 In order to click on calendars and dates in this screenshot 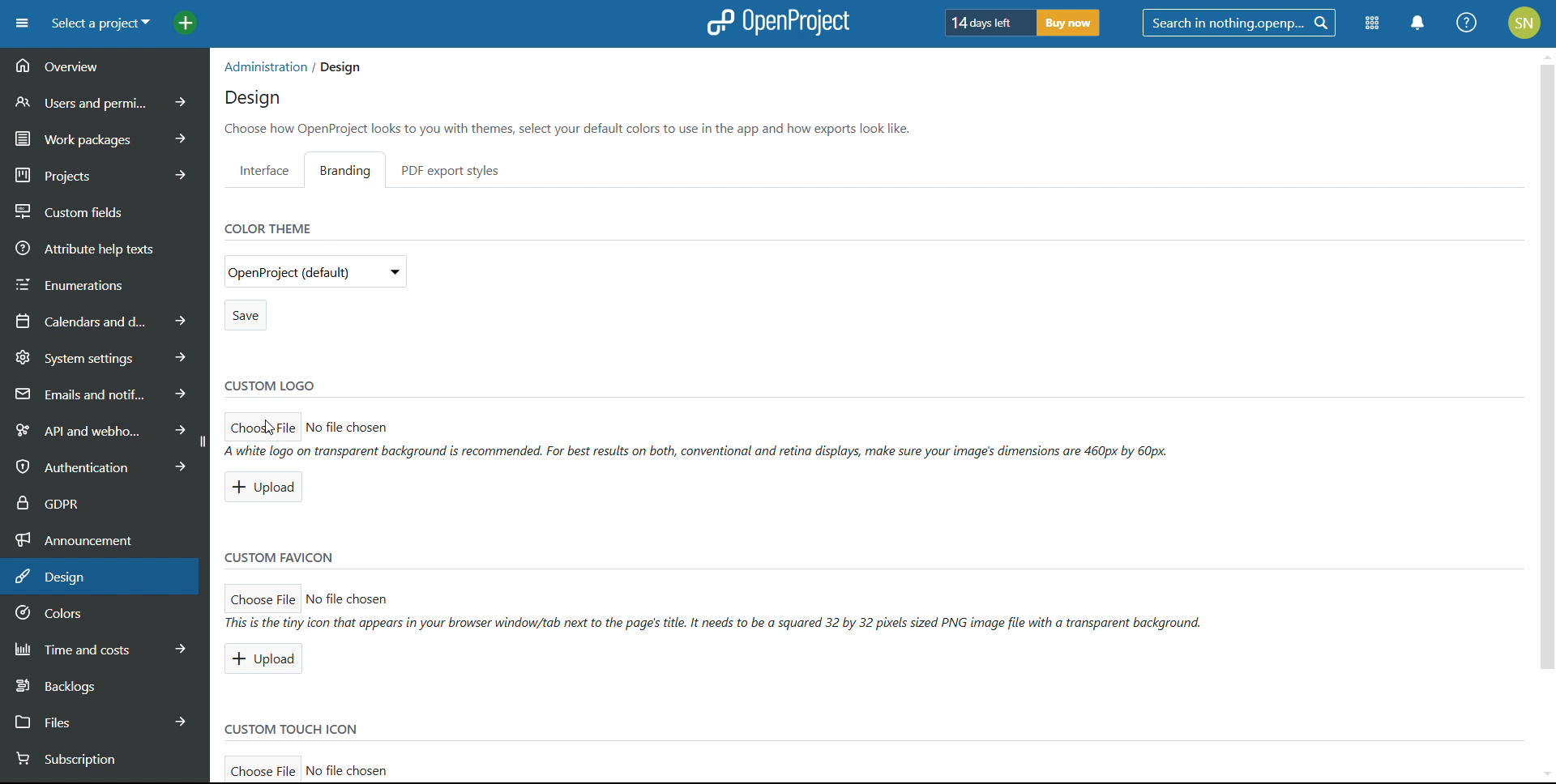, I will do `click(102, 320)`.